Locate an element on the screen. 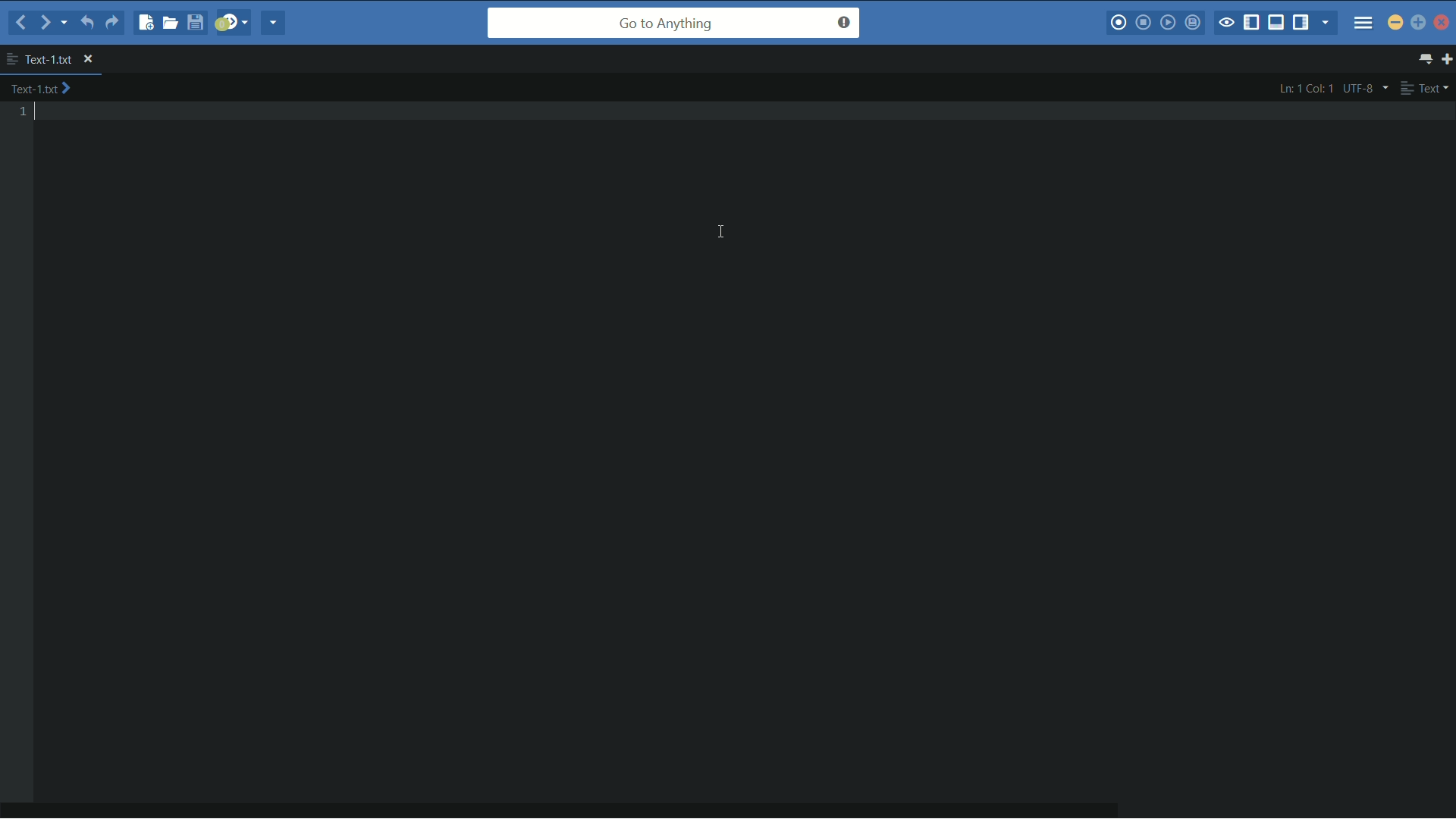  new file is located at coordinates (146, 24).